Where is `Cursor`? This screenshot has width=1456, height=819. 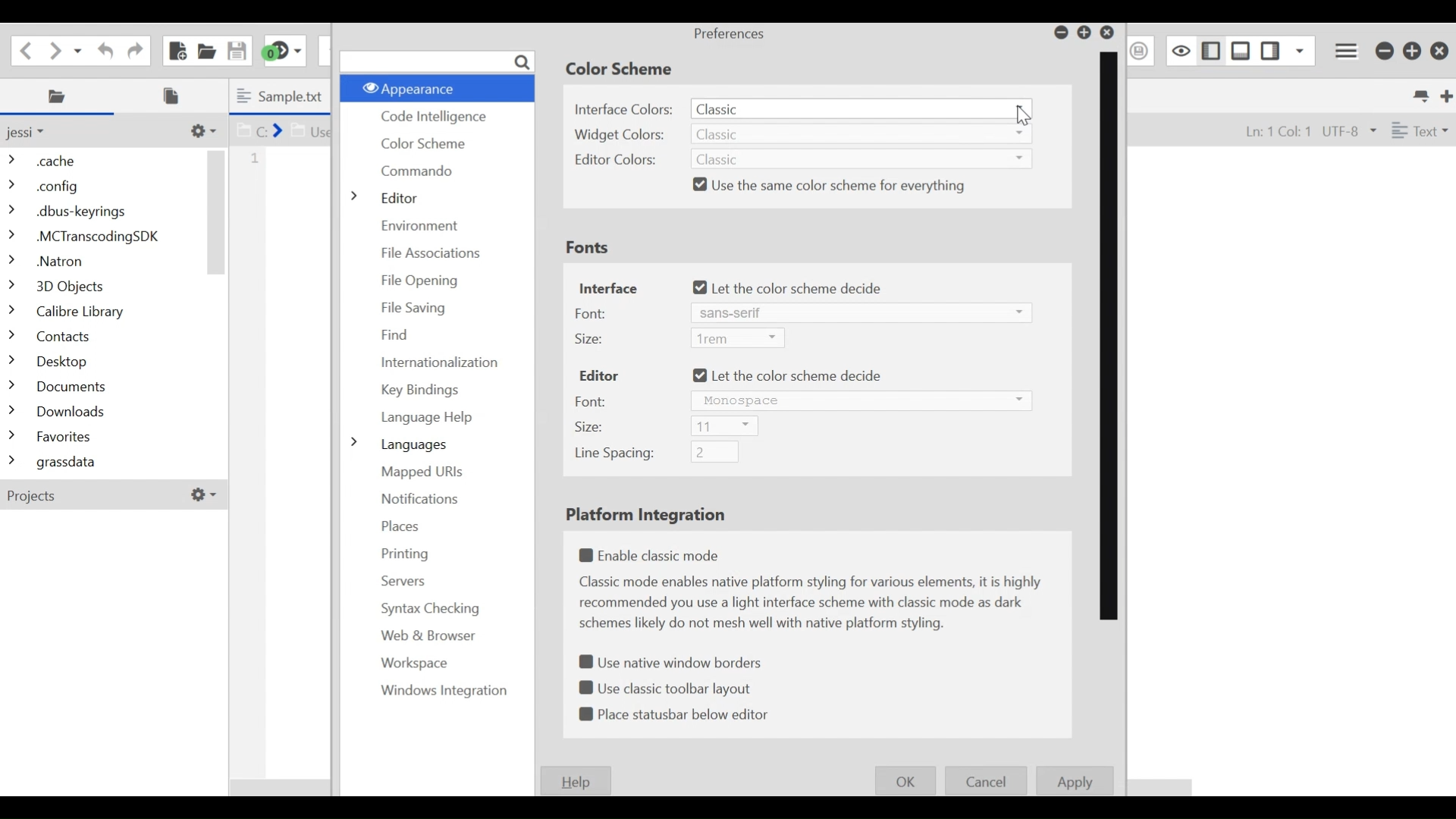 Cursor is located at coordinates (1026, 115).